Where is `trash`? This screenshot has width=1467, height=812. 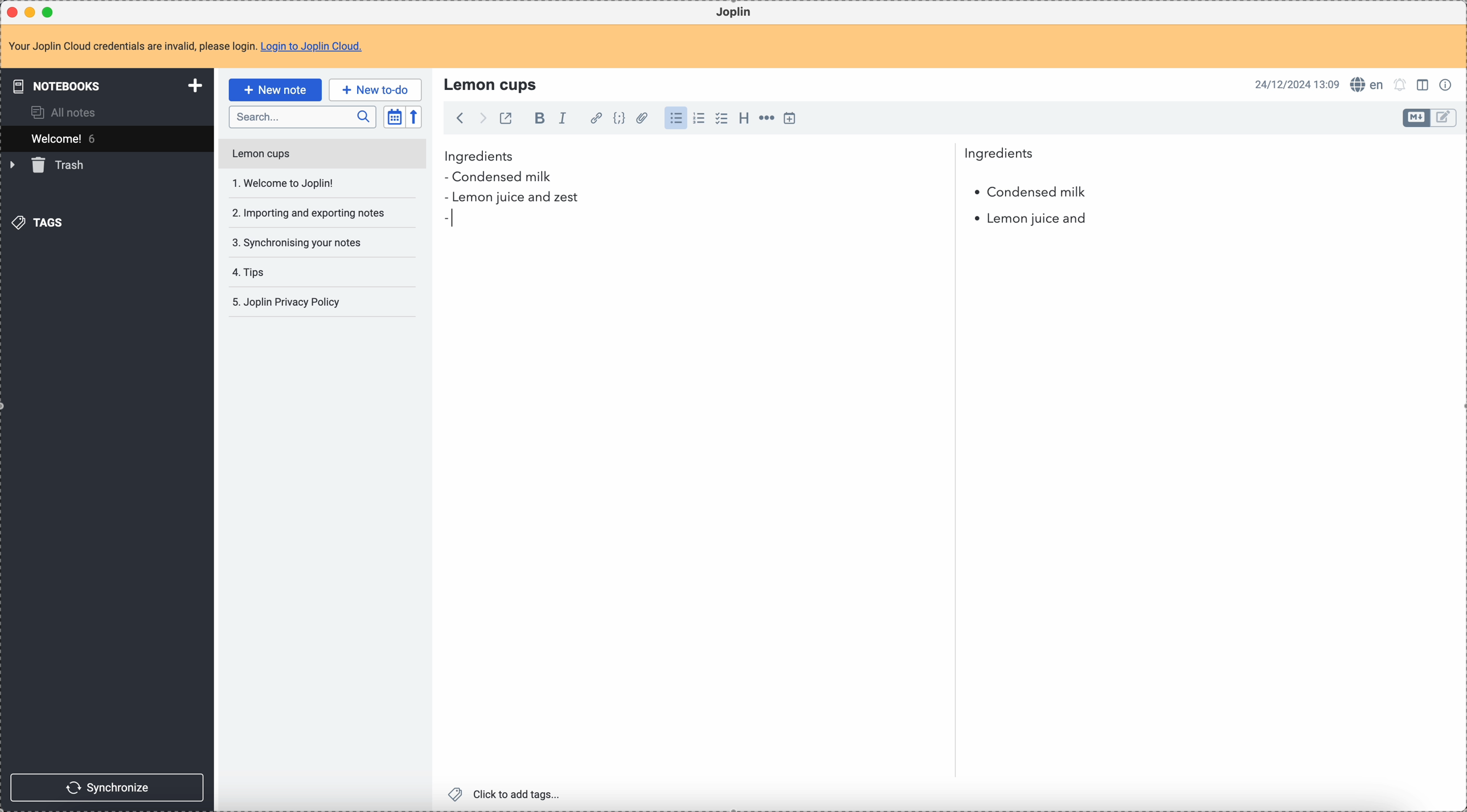 trash is located at coordinates (49, 165).